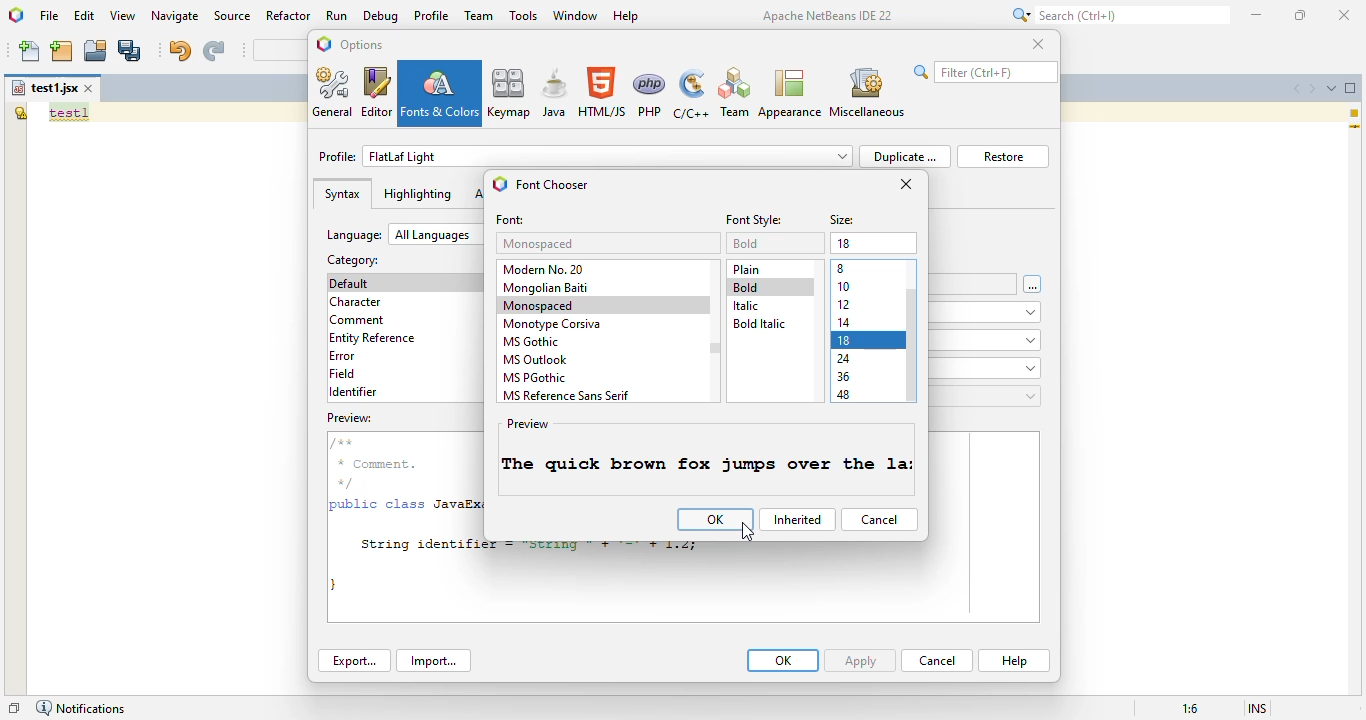 The width and height of the screenshot is (1366, 720). Describe the element at coordinates (603, 92) in the screenshot. I see `HTML/JS` at that location.